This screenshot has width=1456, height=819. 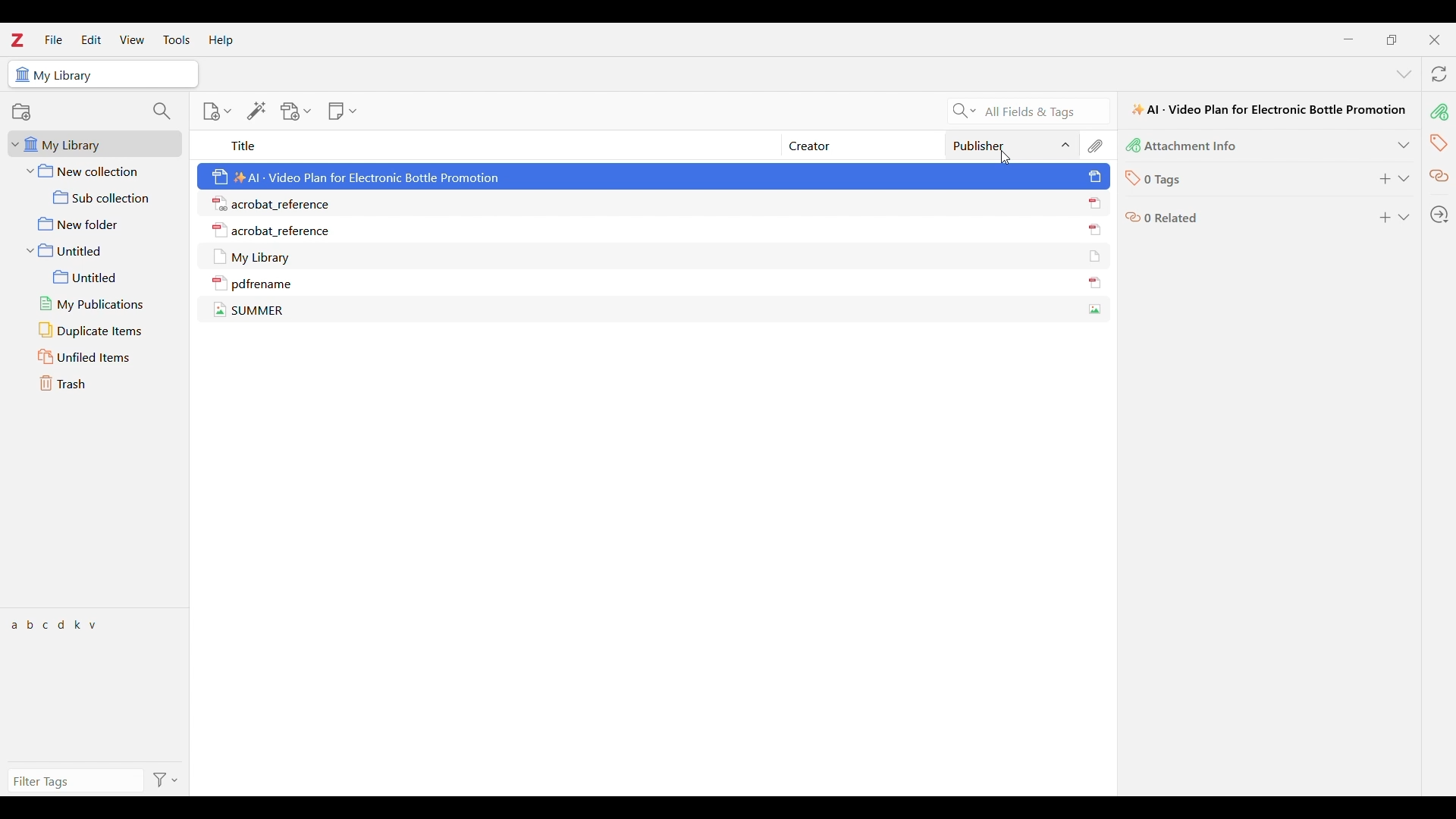 What do you see at coordinates (1435, 40) in the screenshot?
I see `Close interface` at bounding box center [1435, 40].